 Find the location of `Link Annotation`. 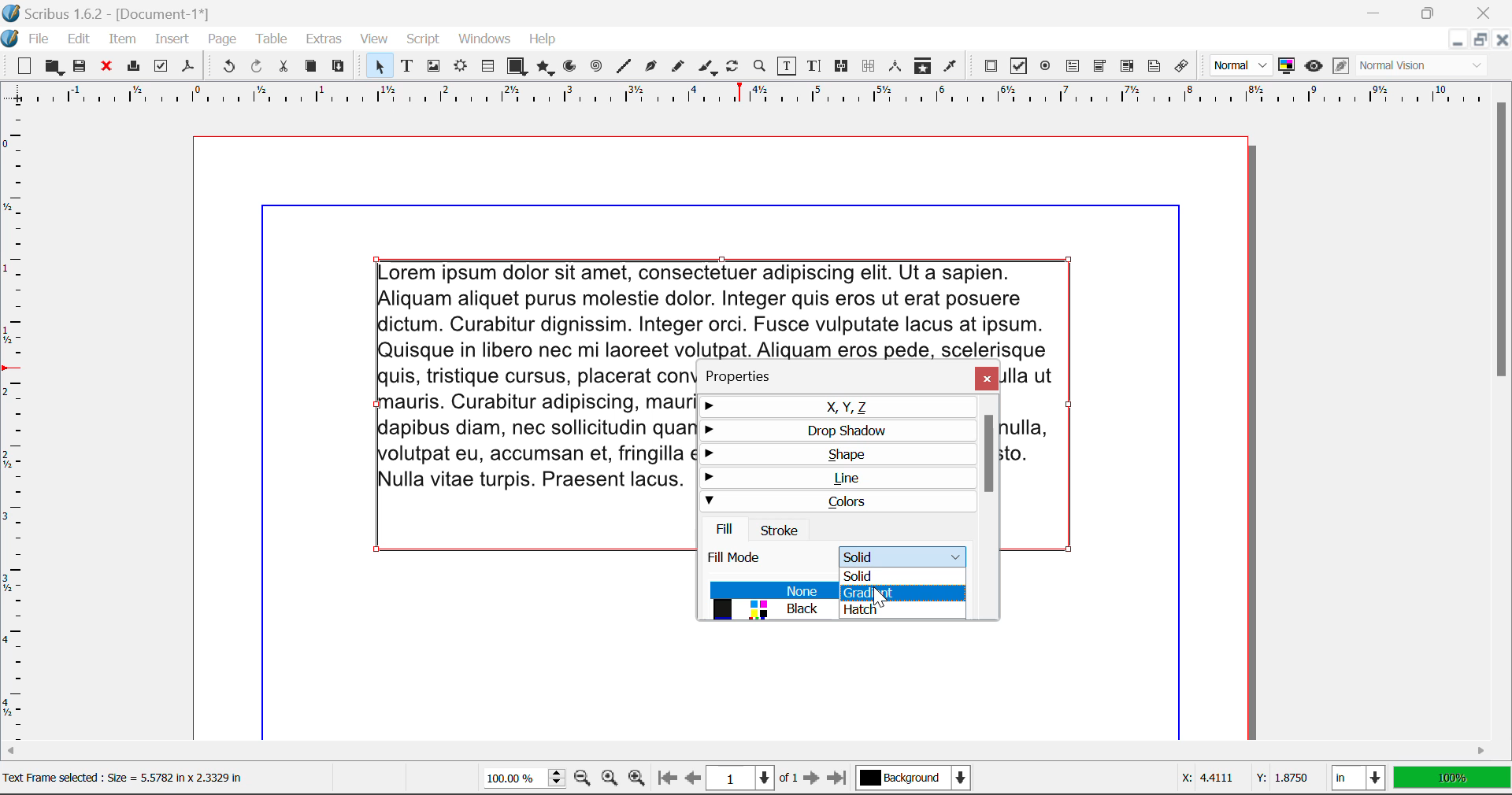

Link Annotation is located at coordinates (1185, 67).